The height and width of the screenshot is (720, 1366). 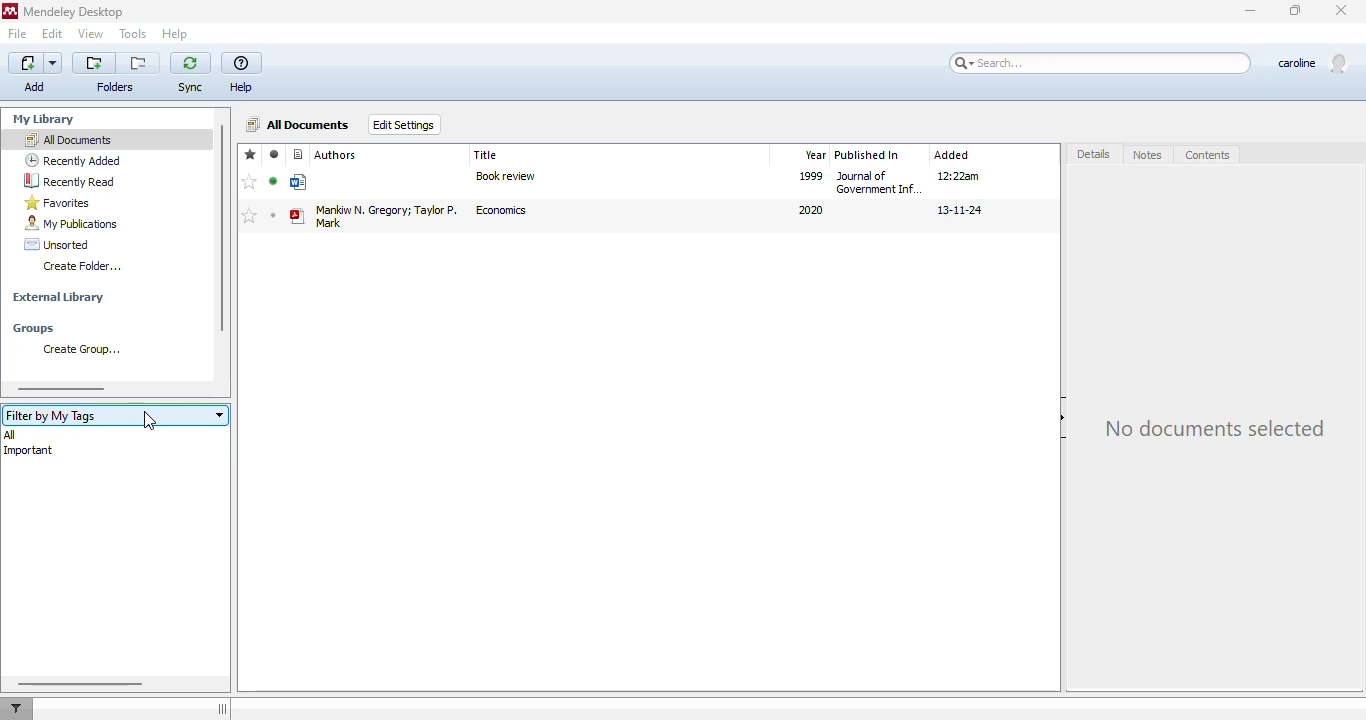 I want to click on minimize, so click(x=1251, y=11).